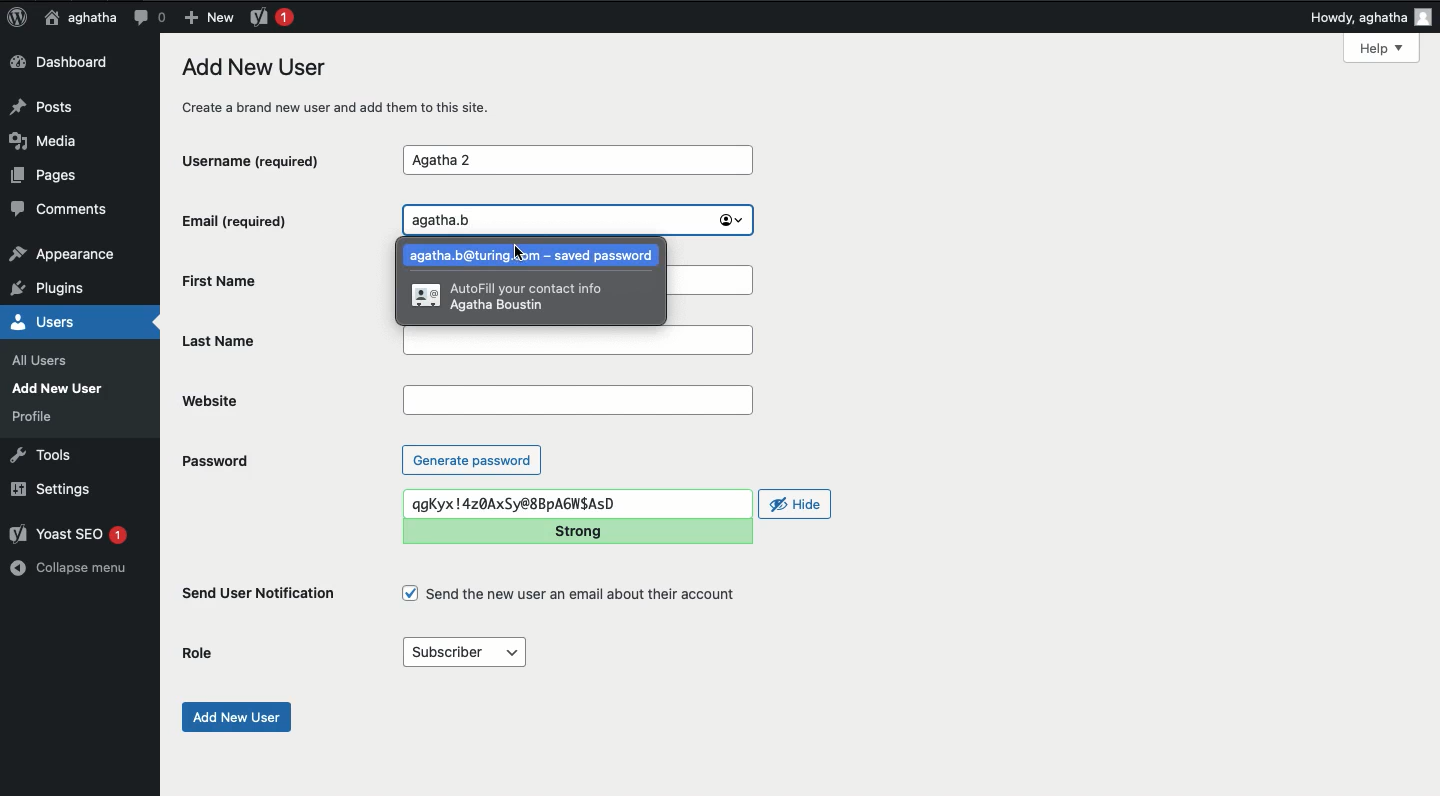 Image resolution: width=1440 pixels, height=796 pixels. Describe the element at coordinates (578, 504) in the screenshot. I see `qgKyx!4z0AxSy@8BpAGWSAsD` at that location.